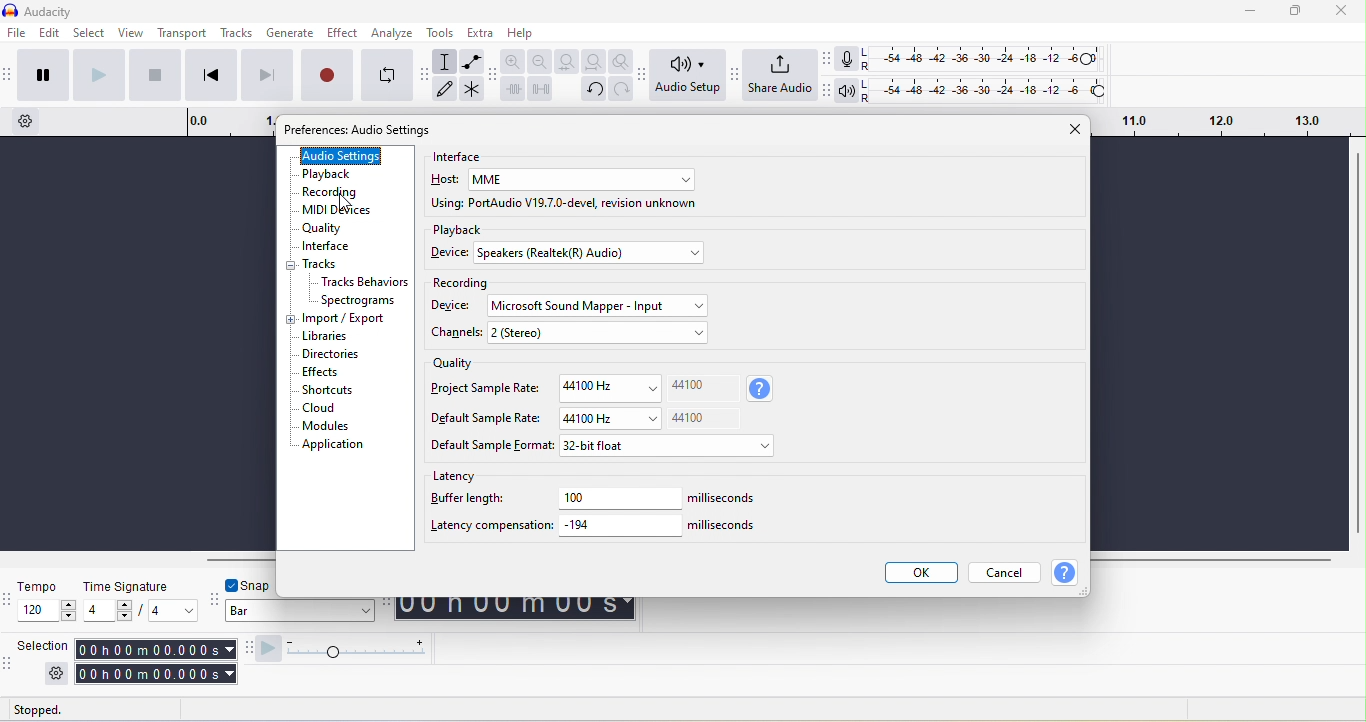  Describe the element at coordinates (455, 333) in the screenshot. I see `channels` at that location.